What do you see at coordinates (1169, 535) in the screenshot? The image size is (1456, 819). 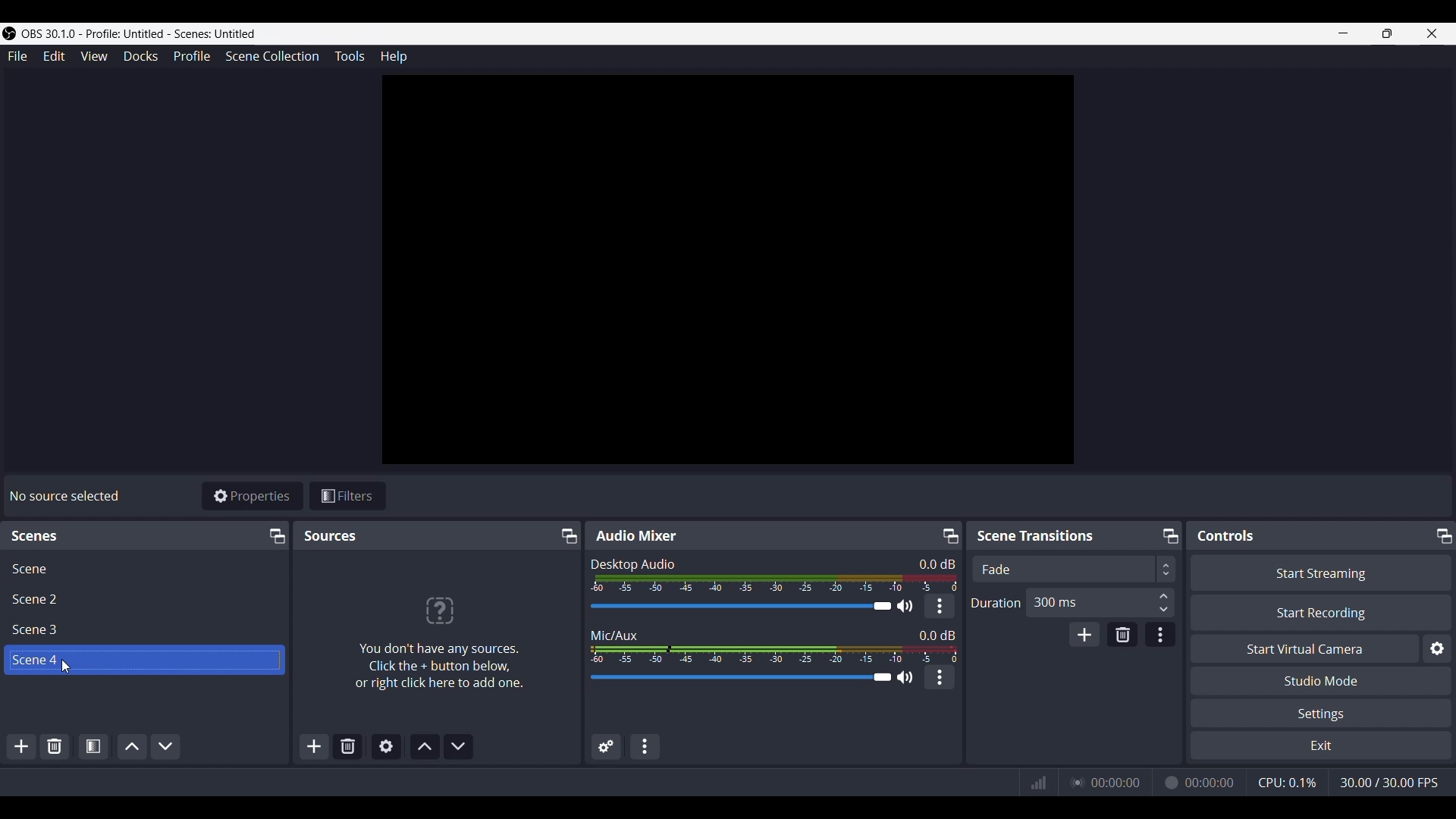 I see ` Undock/Pop-out icon` at bounding box center [1169, 535].